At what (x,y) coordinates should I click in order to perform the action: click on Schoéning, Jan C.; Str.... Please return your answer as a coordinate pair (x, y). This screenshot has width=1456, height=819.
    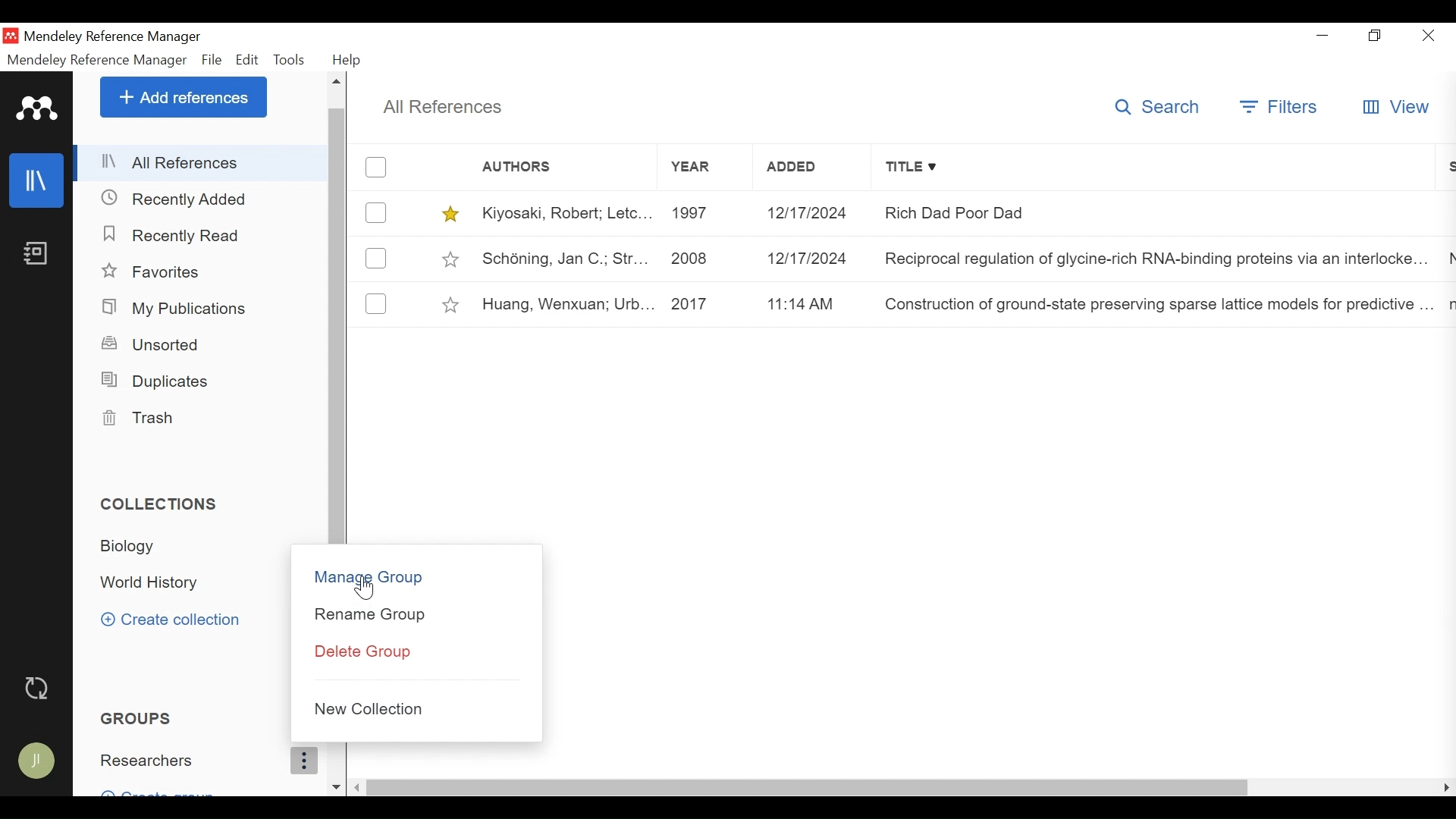
    Looking at the image, I should click on (566, 259).